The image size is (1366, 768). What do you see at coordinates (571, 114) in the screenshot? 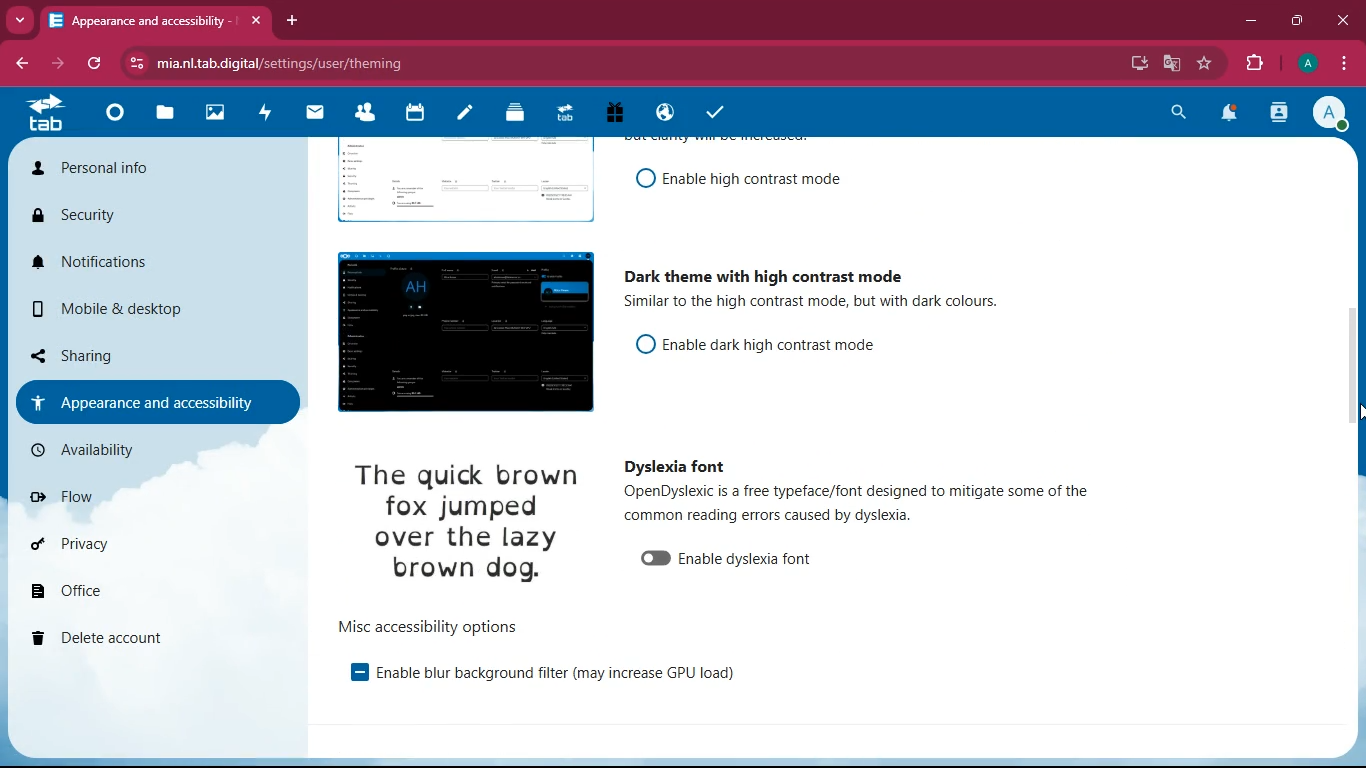
I see `tab` at bounding box center [571, 114].